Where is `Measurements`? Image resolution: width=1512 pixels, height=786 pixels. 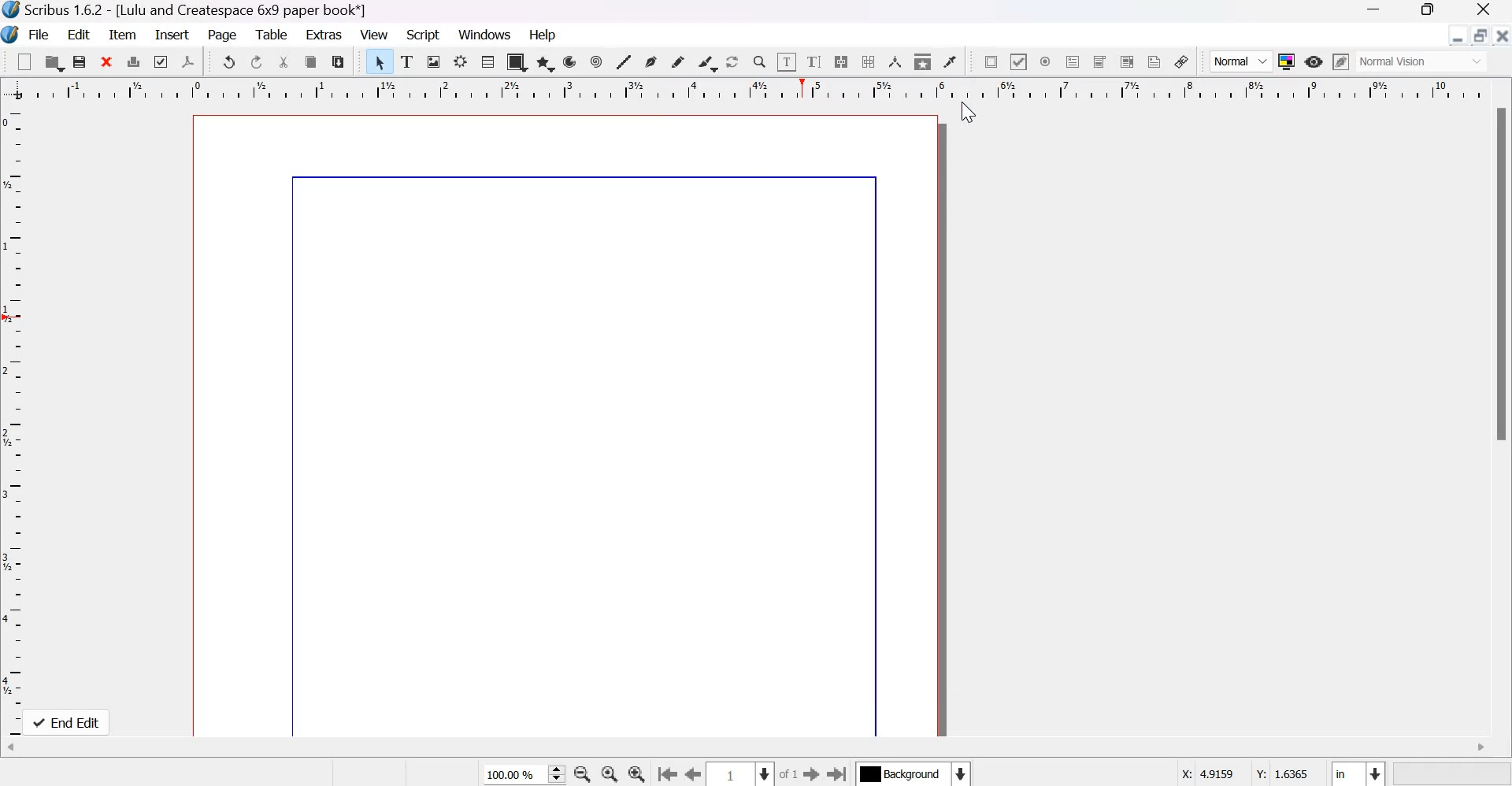
Measurements is located at coordinates (895, 63).